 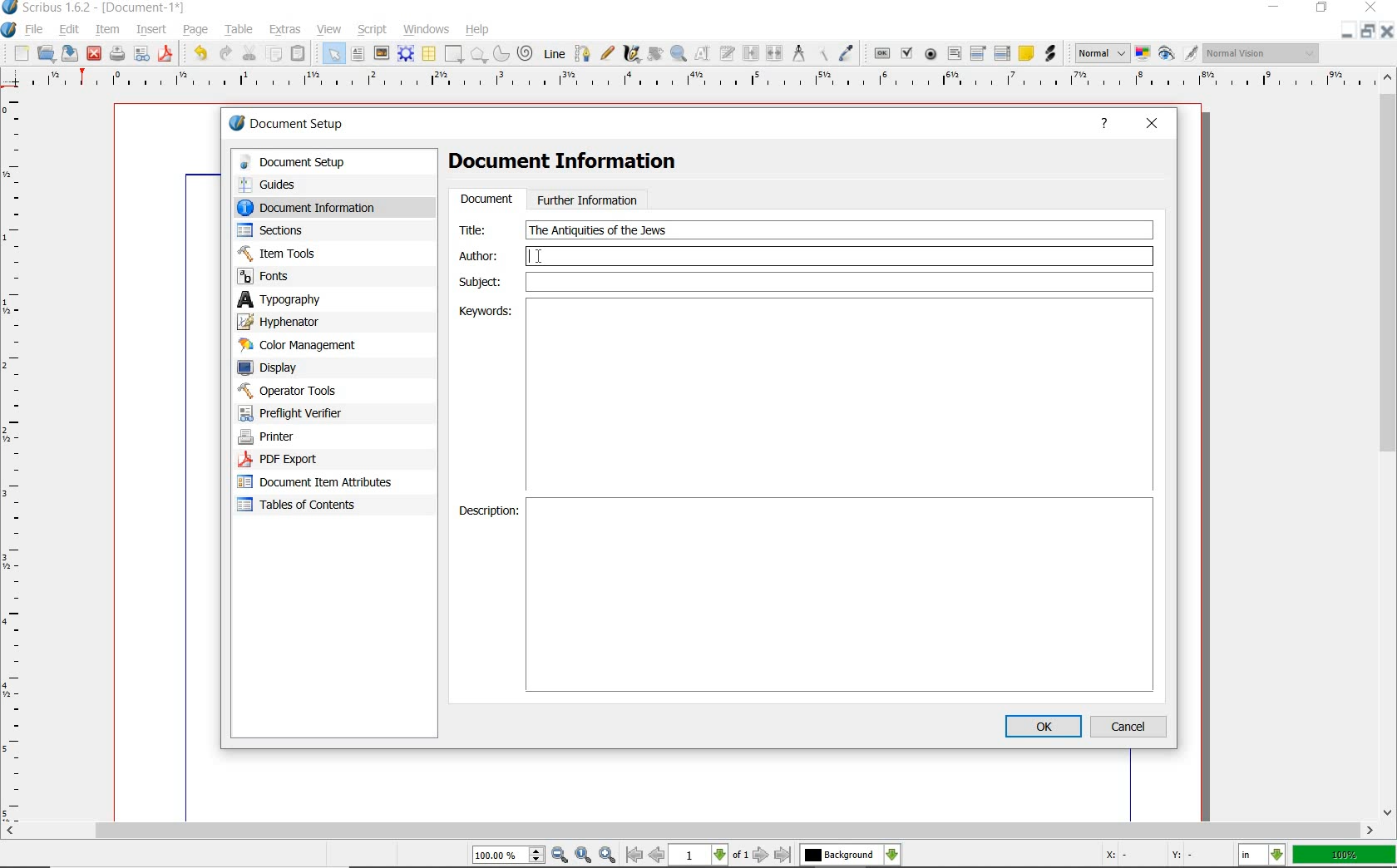 What do you see at coordinates (546, 855) in the screenshot?
I see `zoom in/zoom to/zoom out` at bounding box center [546, 855].